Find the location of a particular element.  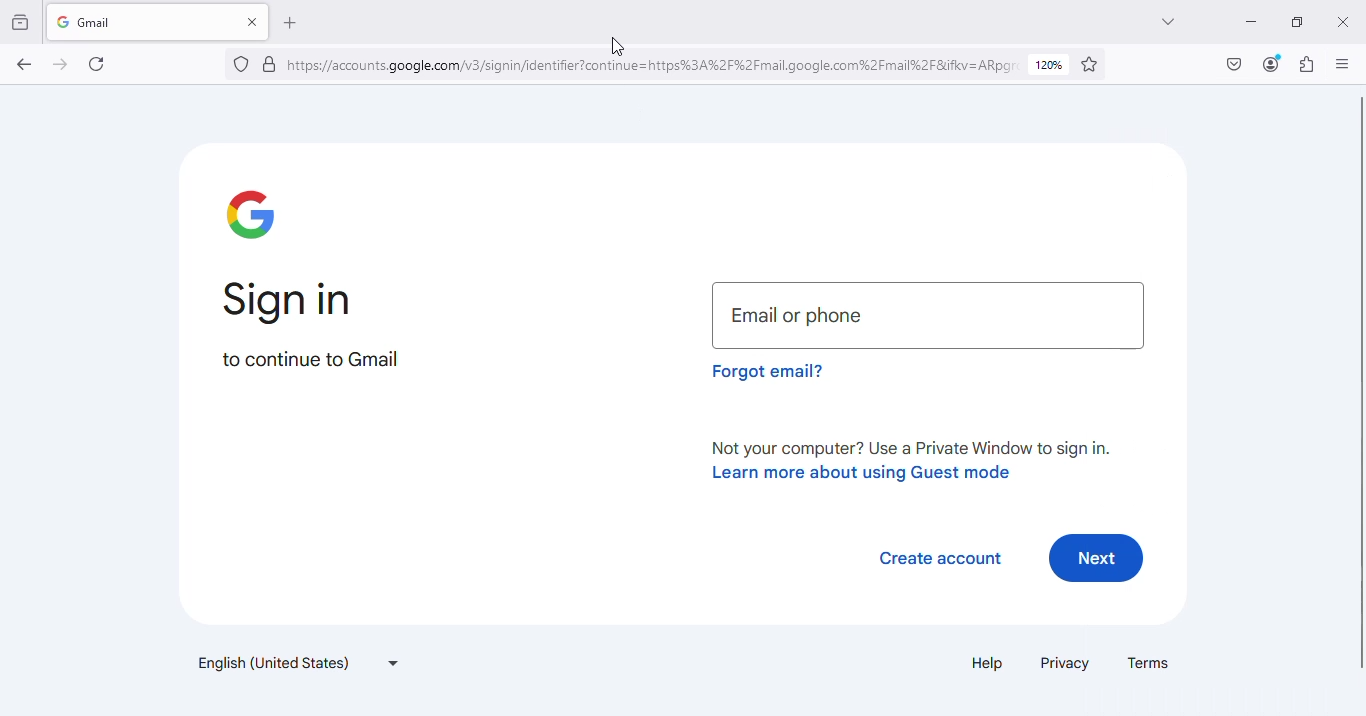

open application menu is located at coordinates (1344, 63).